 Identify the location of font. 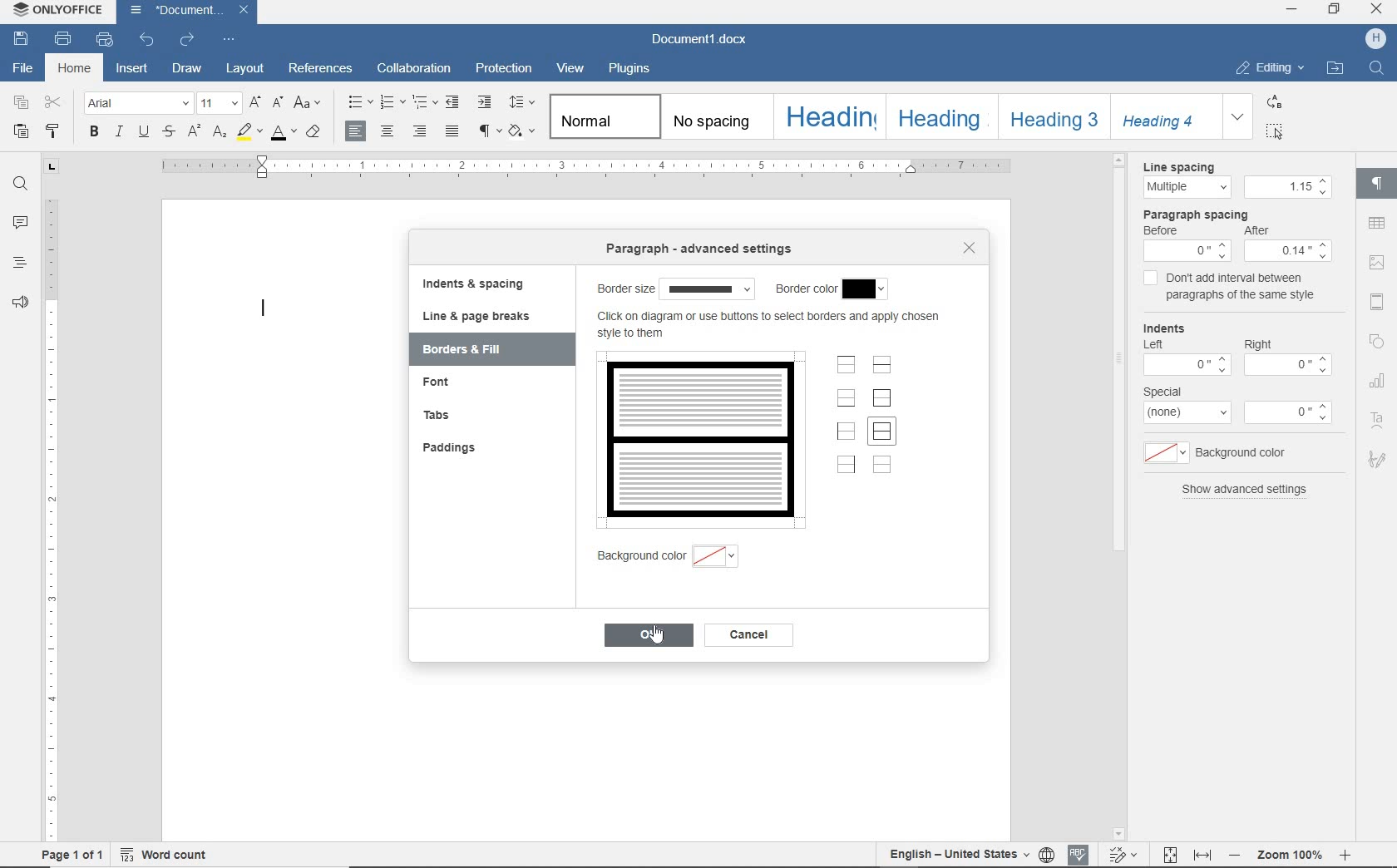
(136, 103).